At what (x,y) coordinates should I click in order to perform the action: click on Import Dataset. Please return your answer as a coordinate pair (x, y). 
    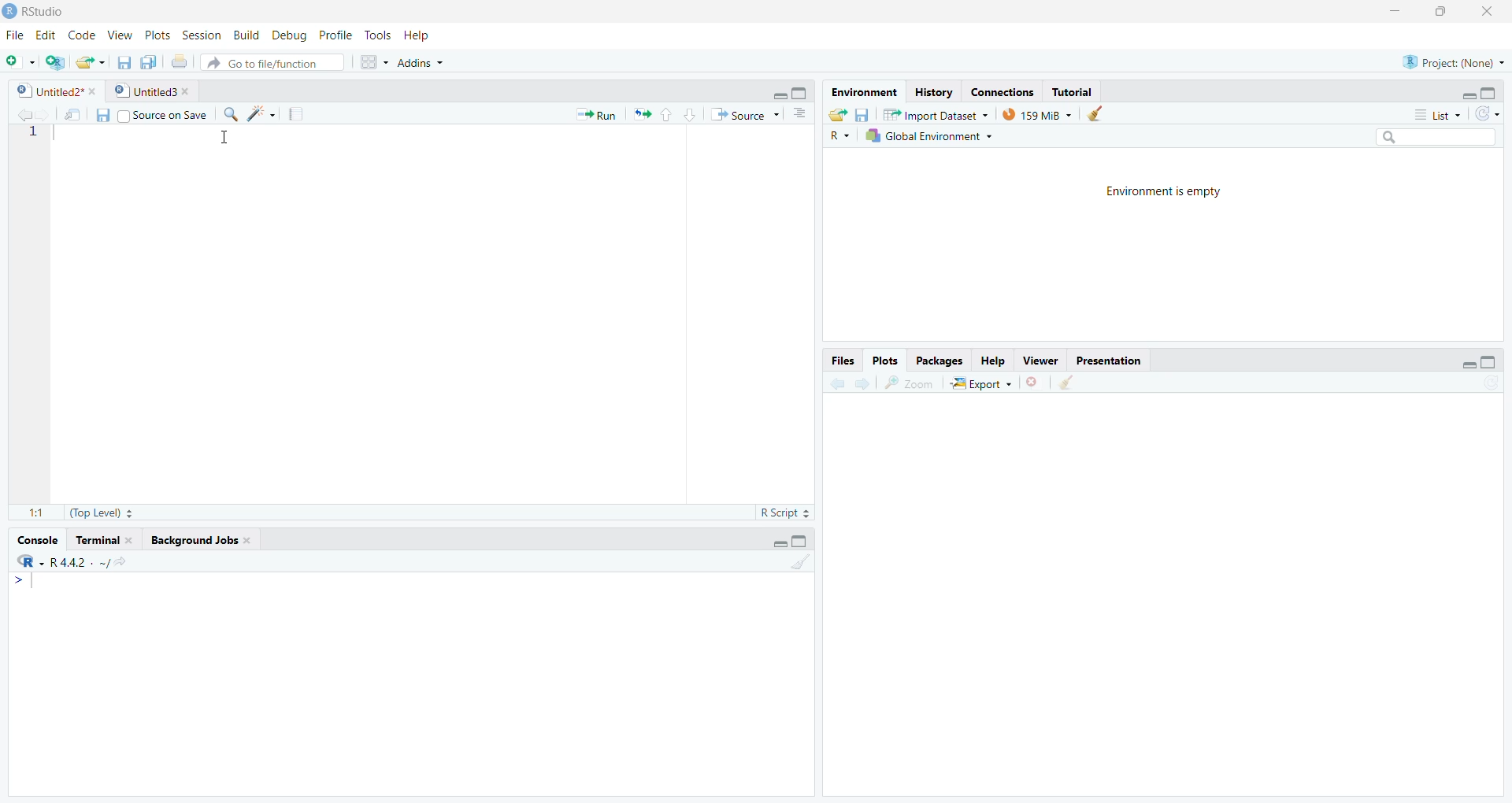
    Looking at the image, I should click on (936, 115).